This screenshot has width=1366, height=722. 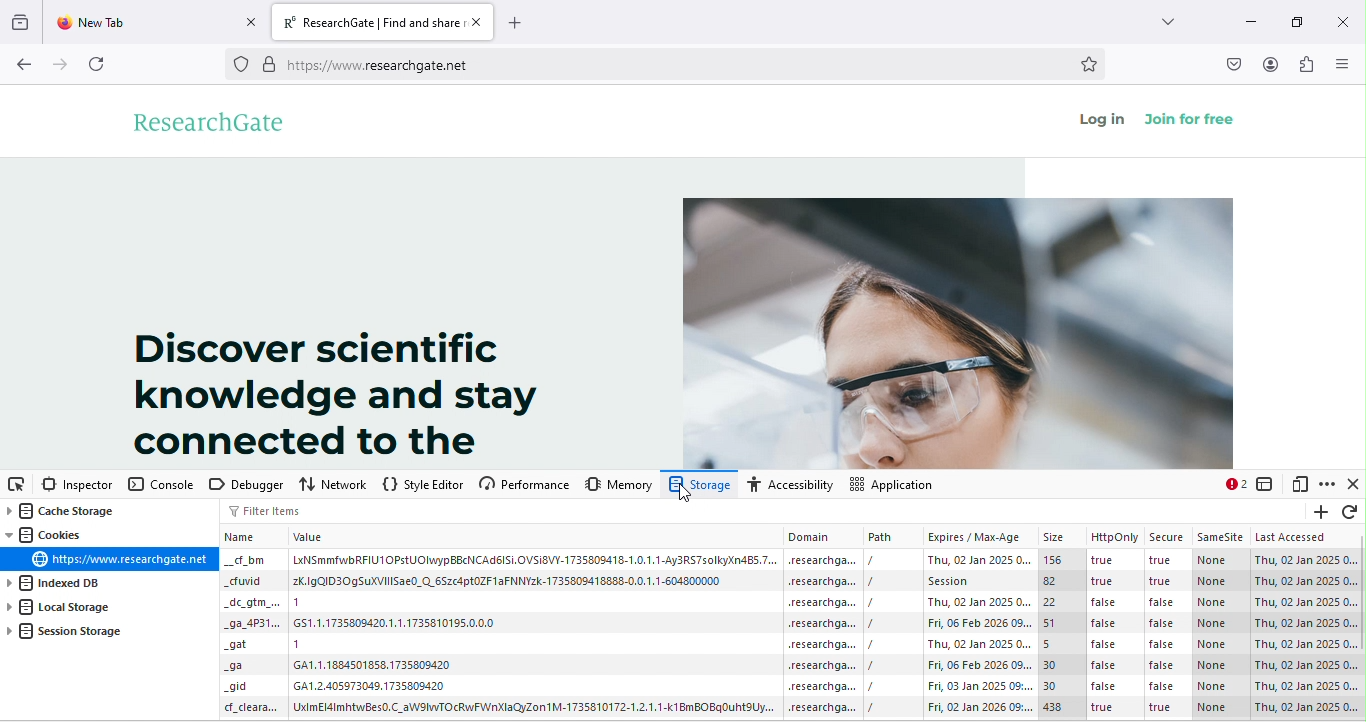 I want to click on false, so click(x=1166, y=623).